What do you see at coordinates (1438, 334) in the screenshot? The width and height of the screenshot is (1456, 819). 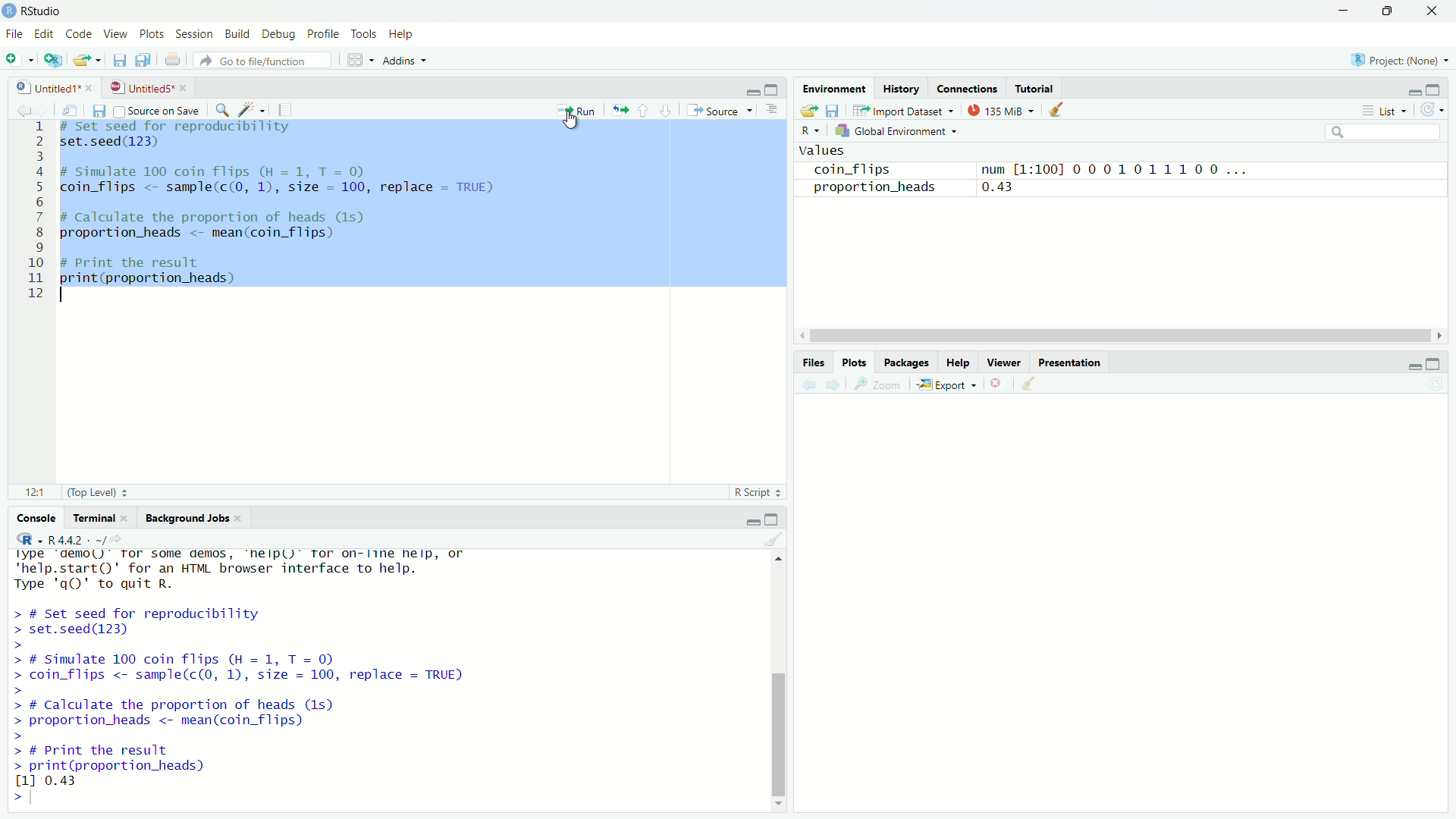 I see `move right` at bounding box center [1438, 334].